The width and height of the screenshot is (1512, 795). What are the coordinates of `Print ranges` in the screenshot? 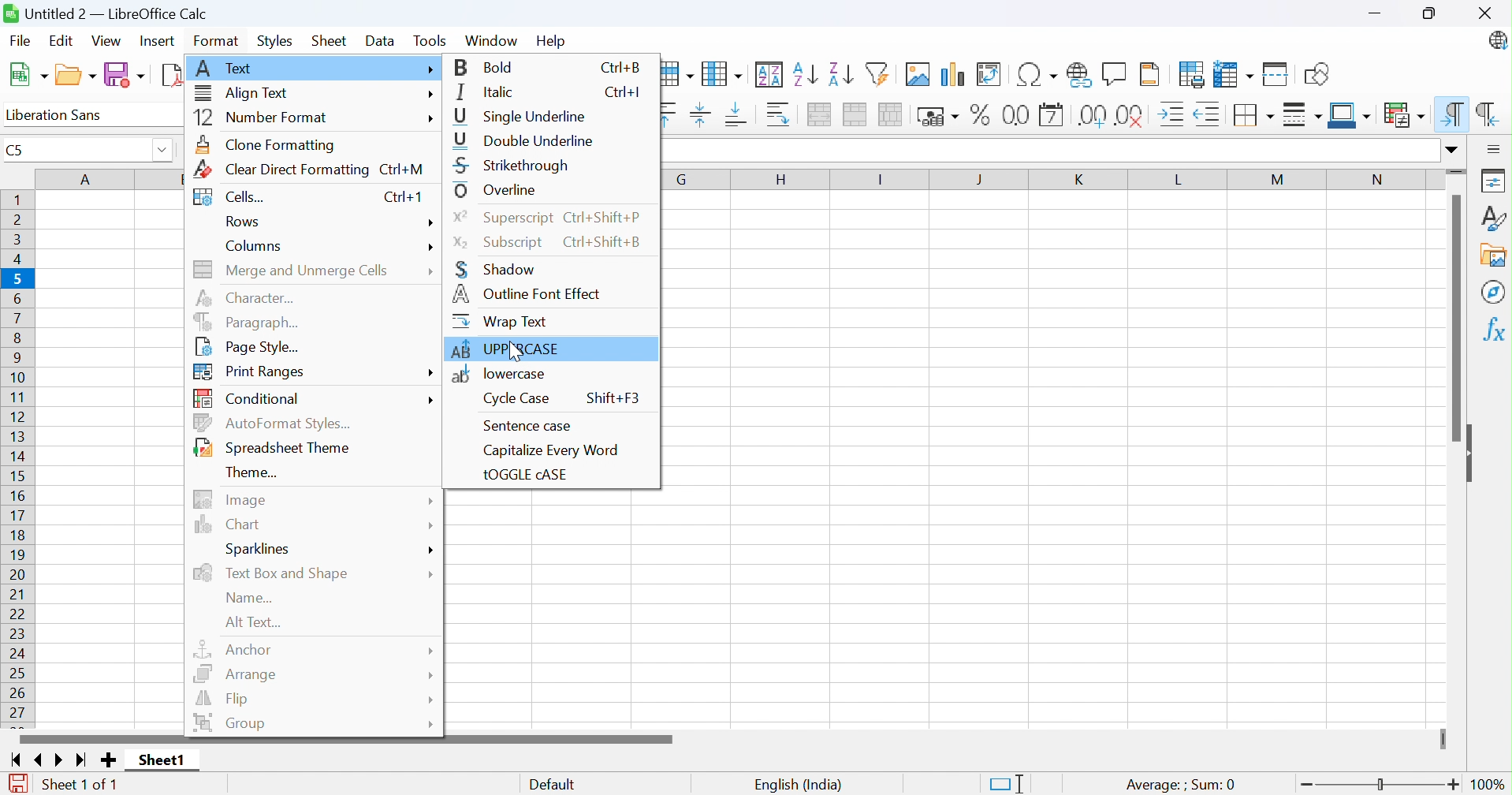 It's located at (255, 371).